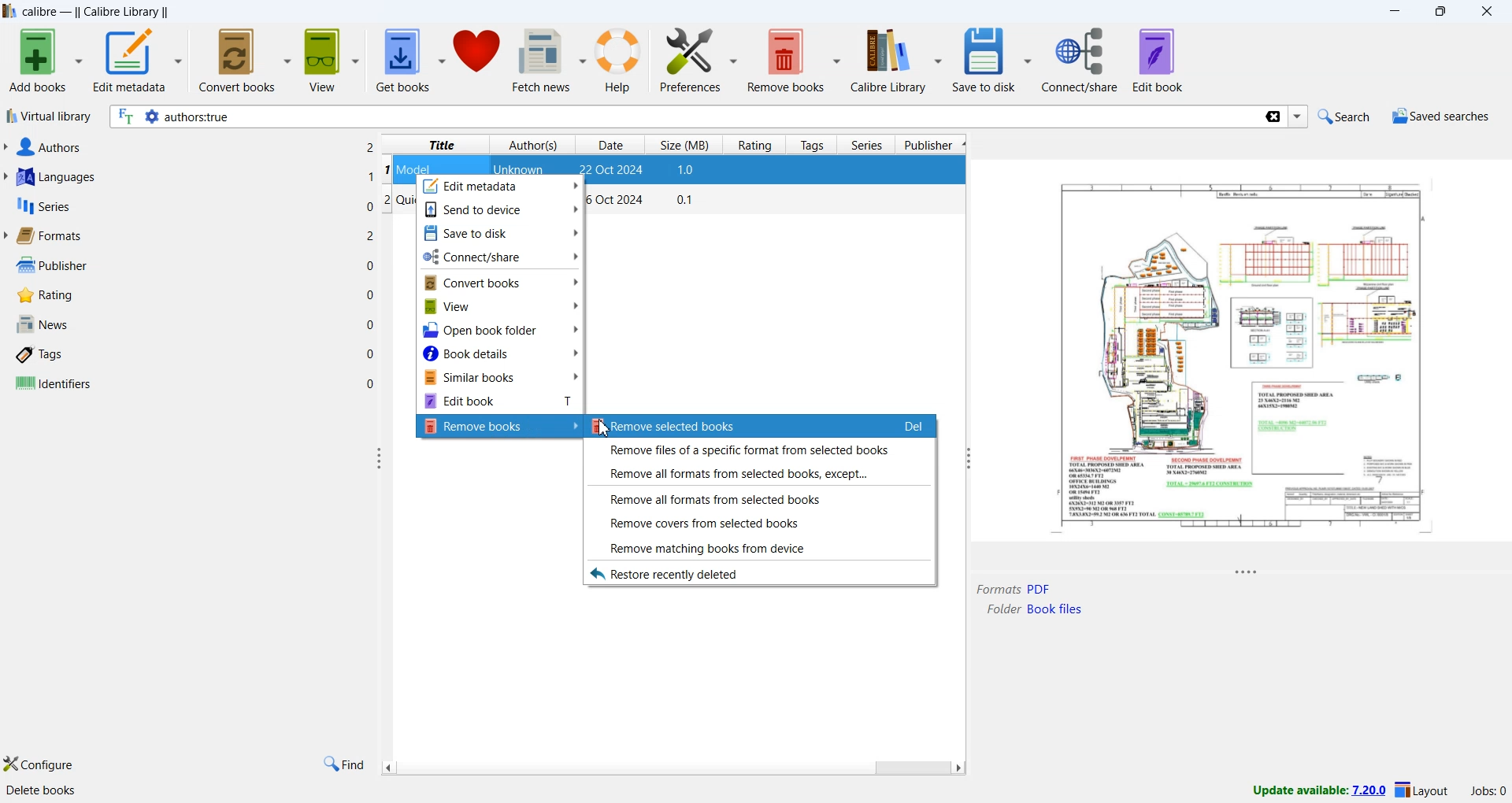  What do you see at coordinates (42, 295) in the screenshot?
I see `rating` at bounding box center [42, 295].